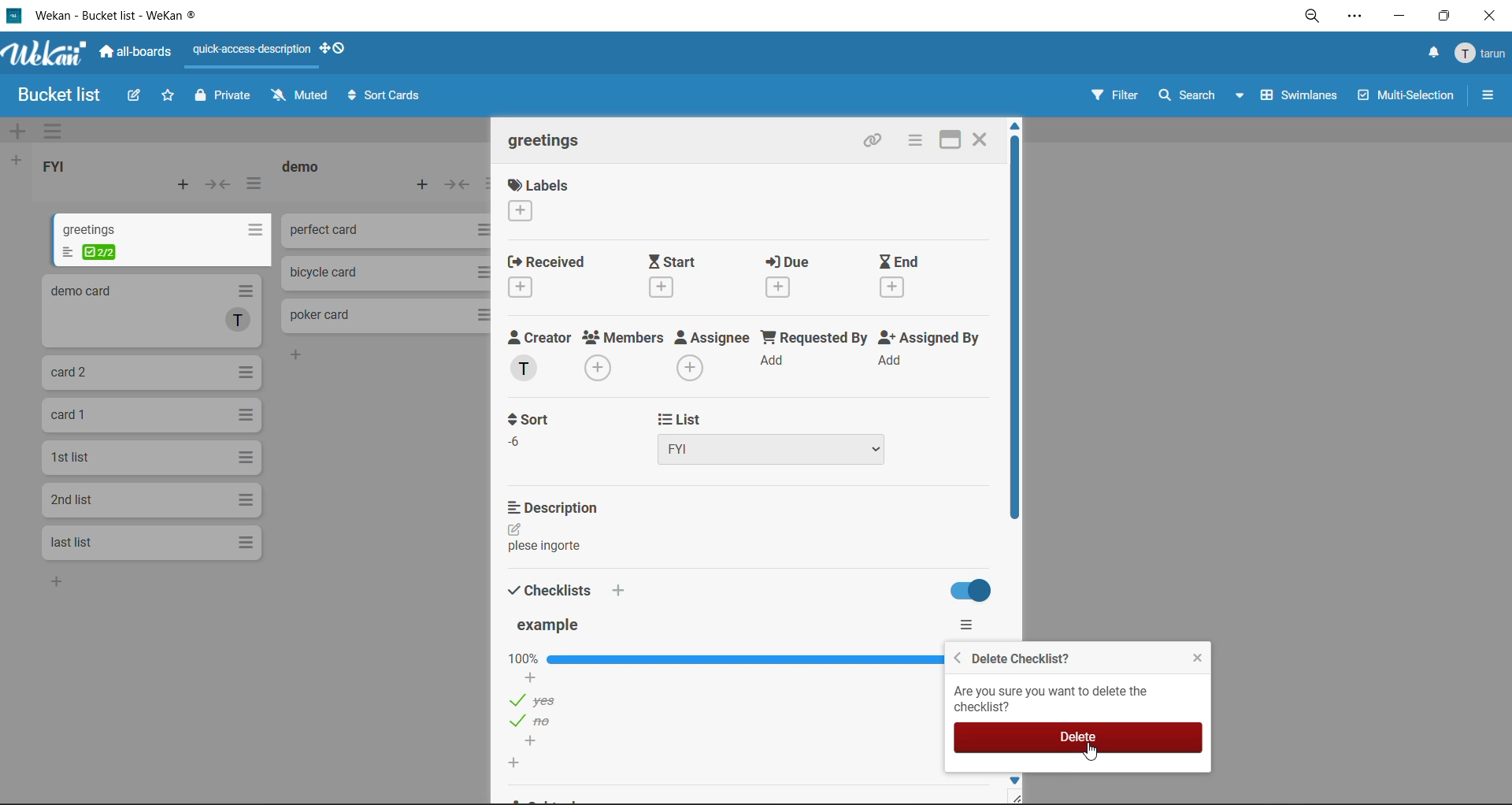  I want to click on sort cards, so click(387, 95).